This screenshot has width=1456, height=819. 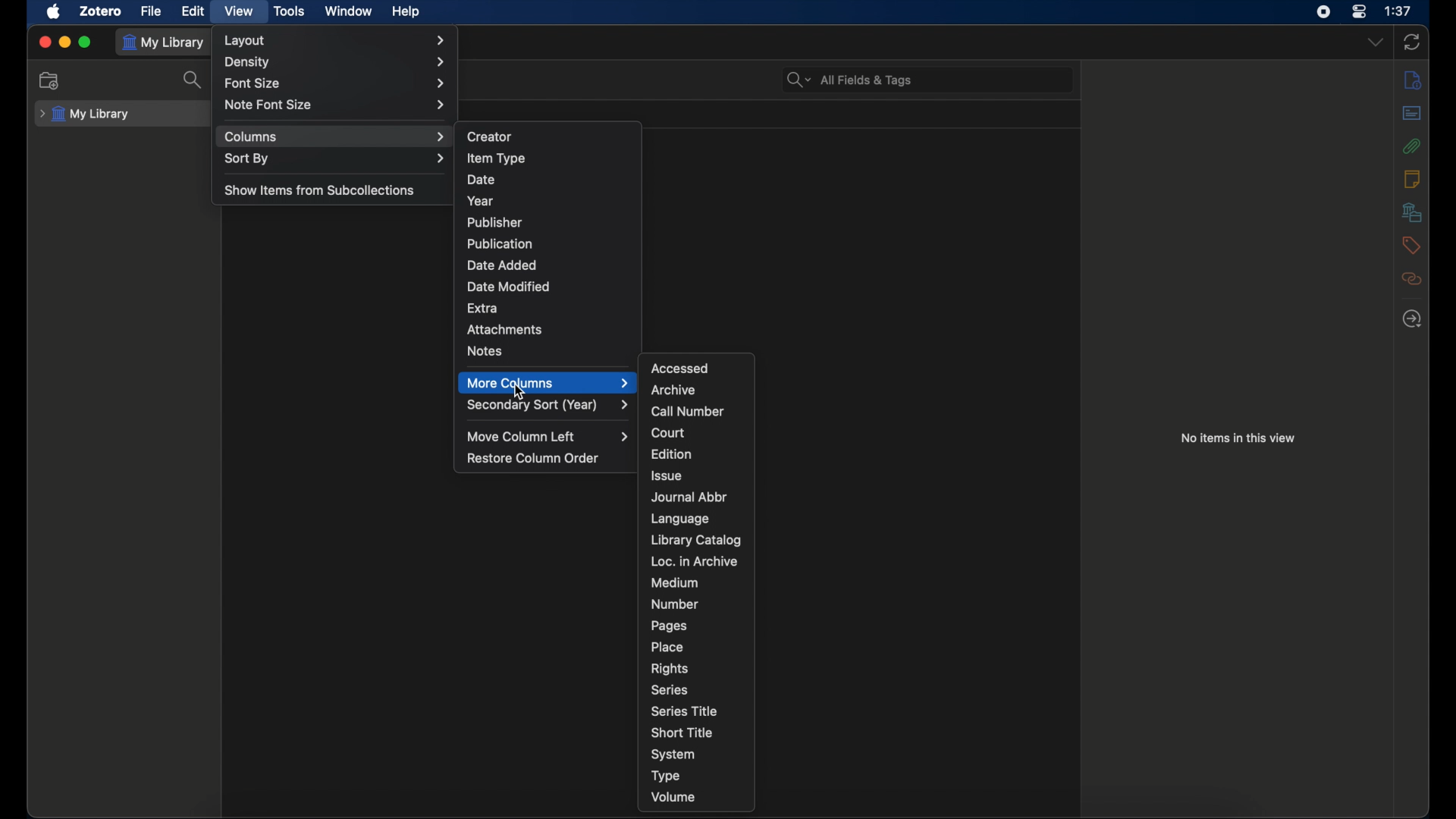 What do you see at coordinates (549, 437) in the screenshot?
I see `move column left` at bounding box center [549, 437].